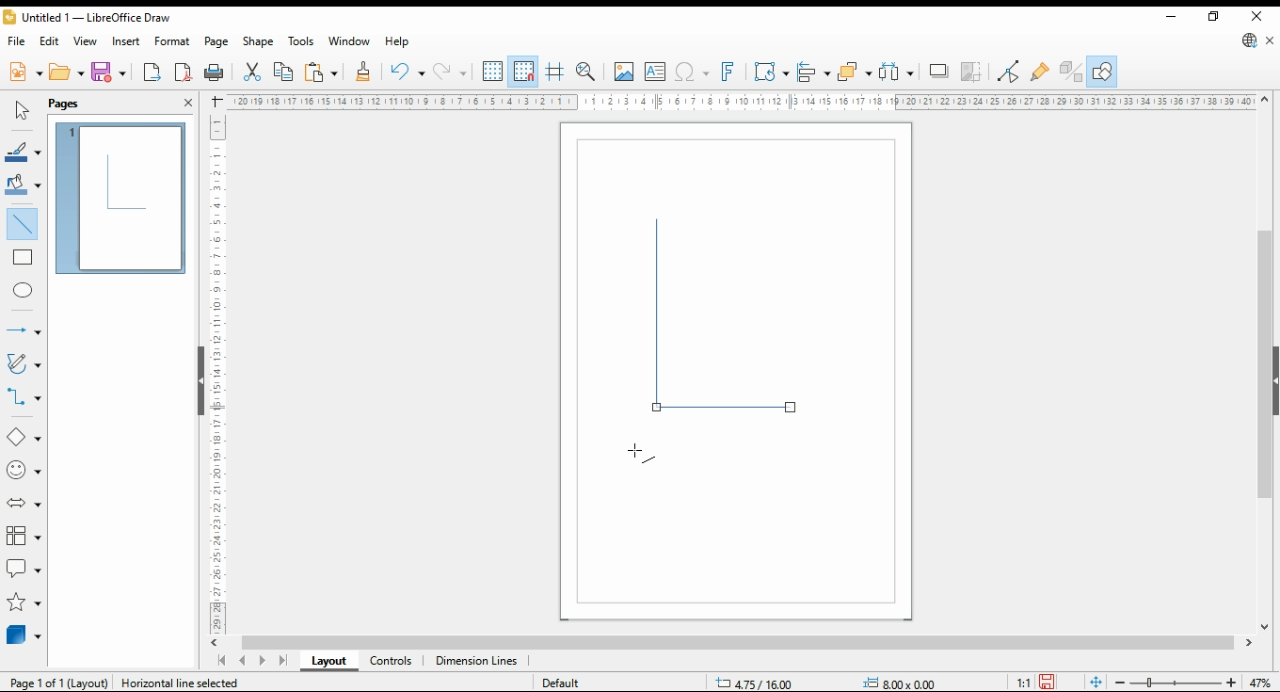  What do you see at coordinates (22, 222) in the screenshot?
I see `insert line` at bounding box center [22, 222].